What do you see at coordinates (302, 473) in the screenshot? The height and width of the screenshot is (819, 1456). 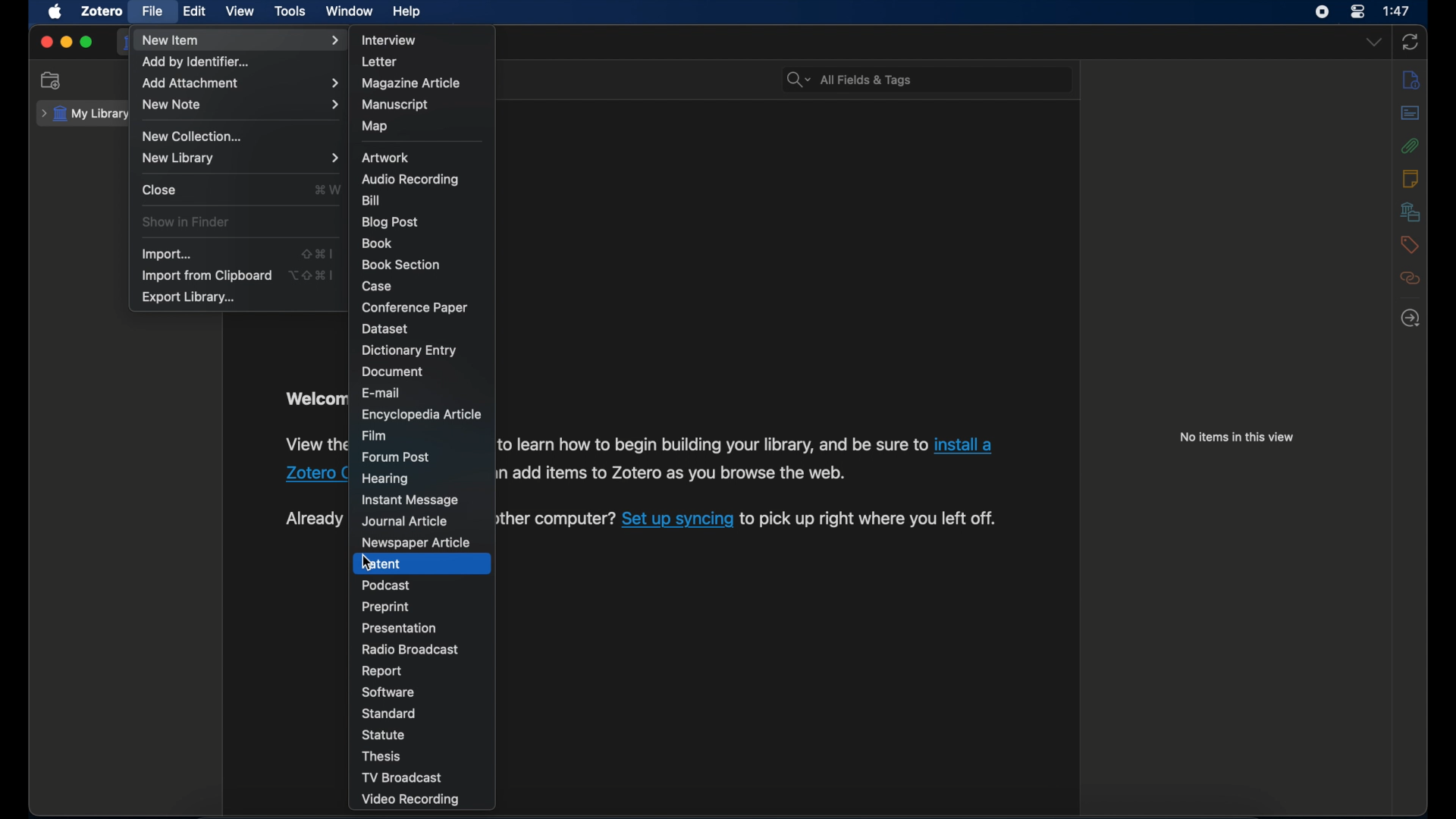 I see `zotero` at bounding box center [302, 473].